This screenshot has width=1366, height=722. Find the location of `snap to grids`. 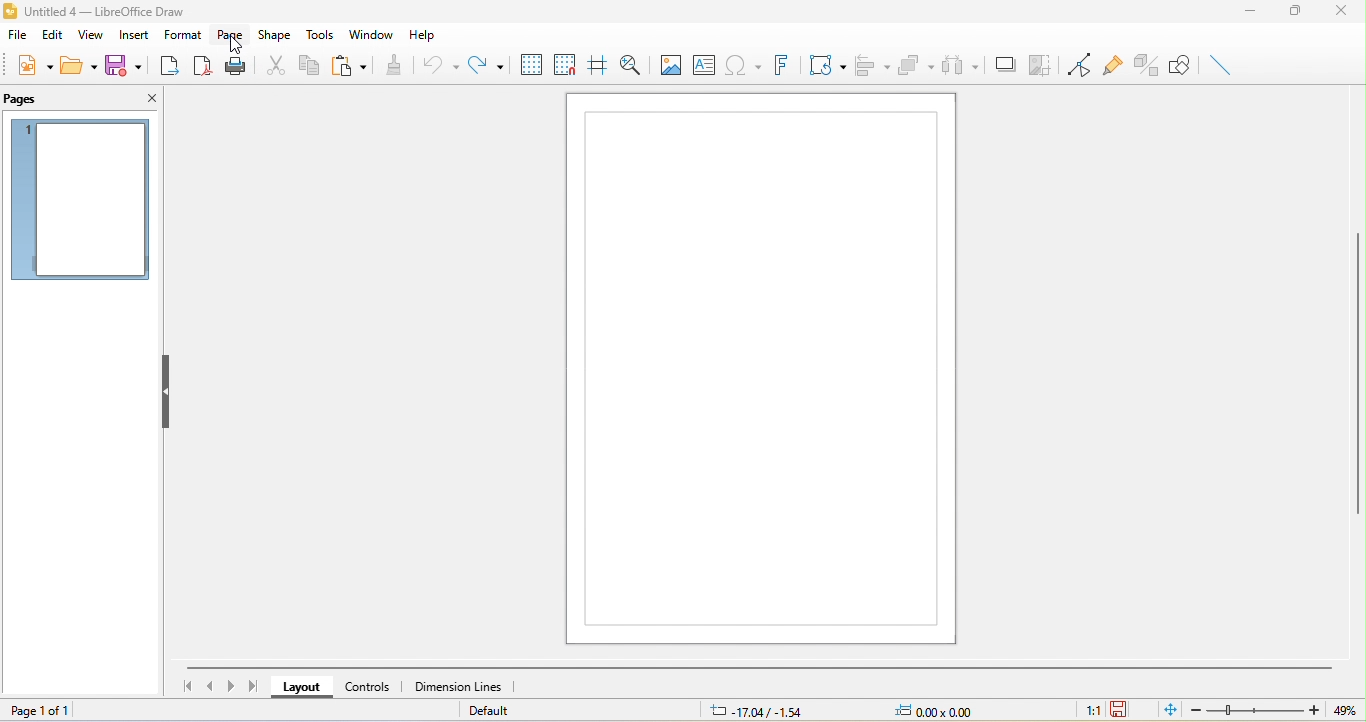

snap to grids is located at coordinates (568, 64).